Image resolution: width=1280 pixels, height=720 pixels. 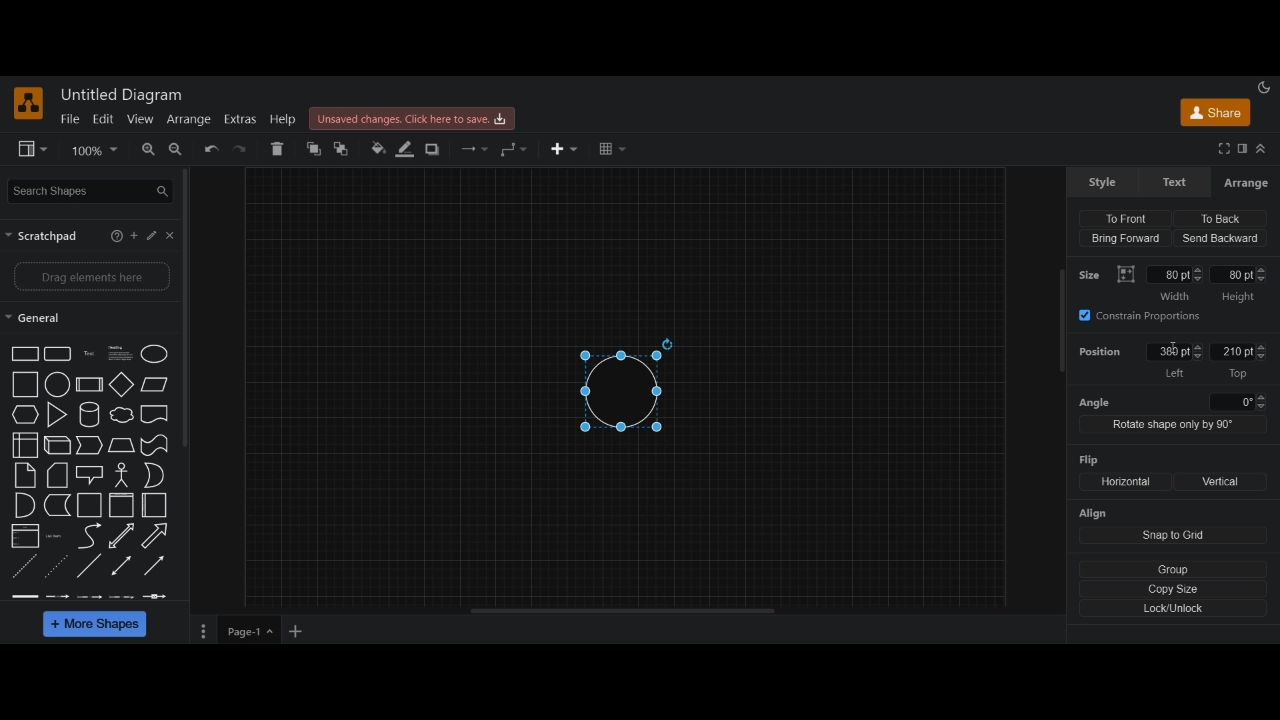 I want to click on arrange, so click(x=188, y=119).